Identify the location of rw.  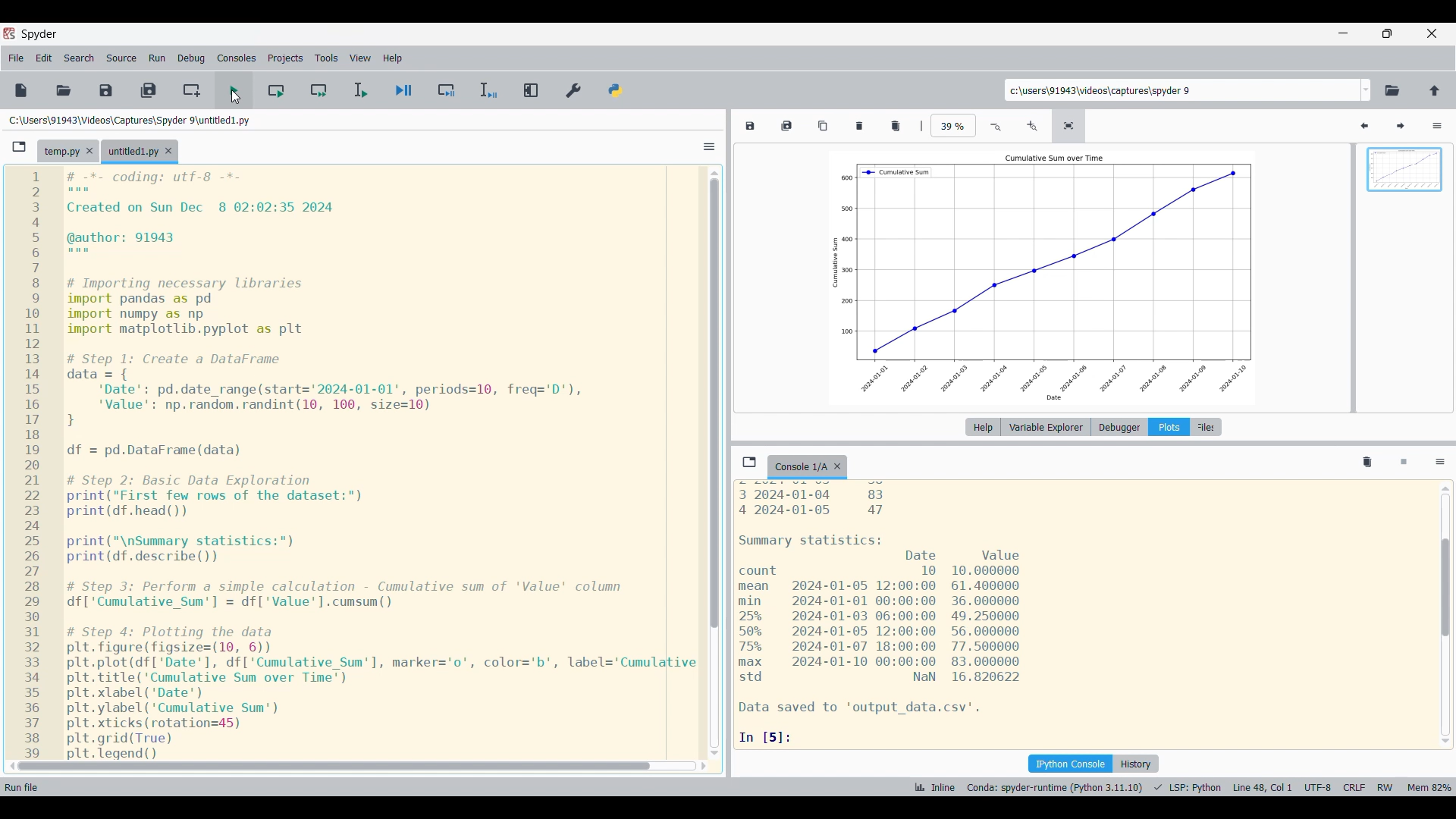
(1388, 786).